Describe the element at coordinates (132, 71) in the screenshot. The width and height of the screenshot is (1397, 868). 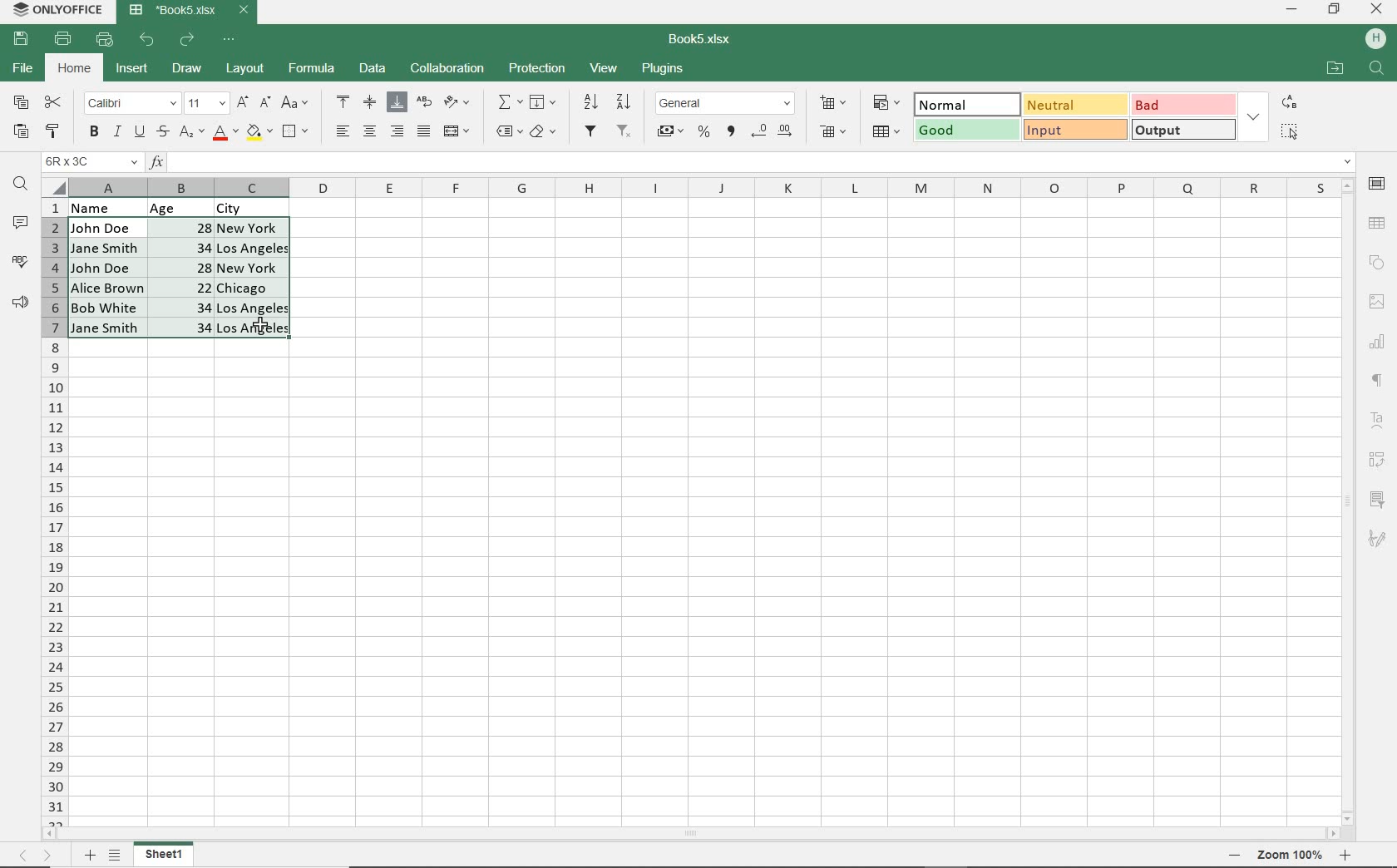
I see `INSERT` at that location.